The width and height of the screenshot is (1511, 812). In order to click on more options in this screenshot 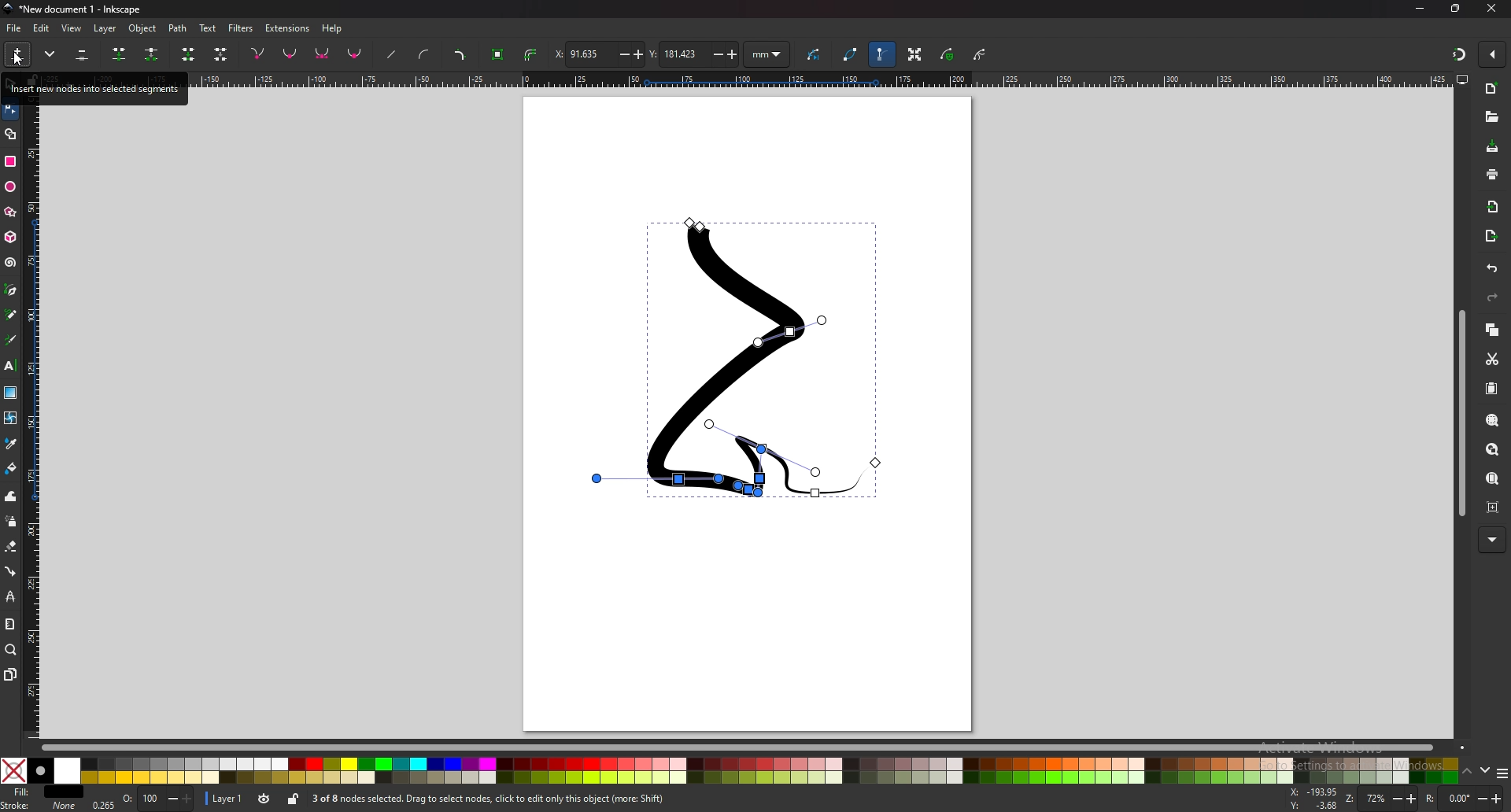, I will do `click(50, 54)`.